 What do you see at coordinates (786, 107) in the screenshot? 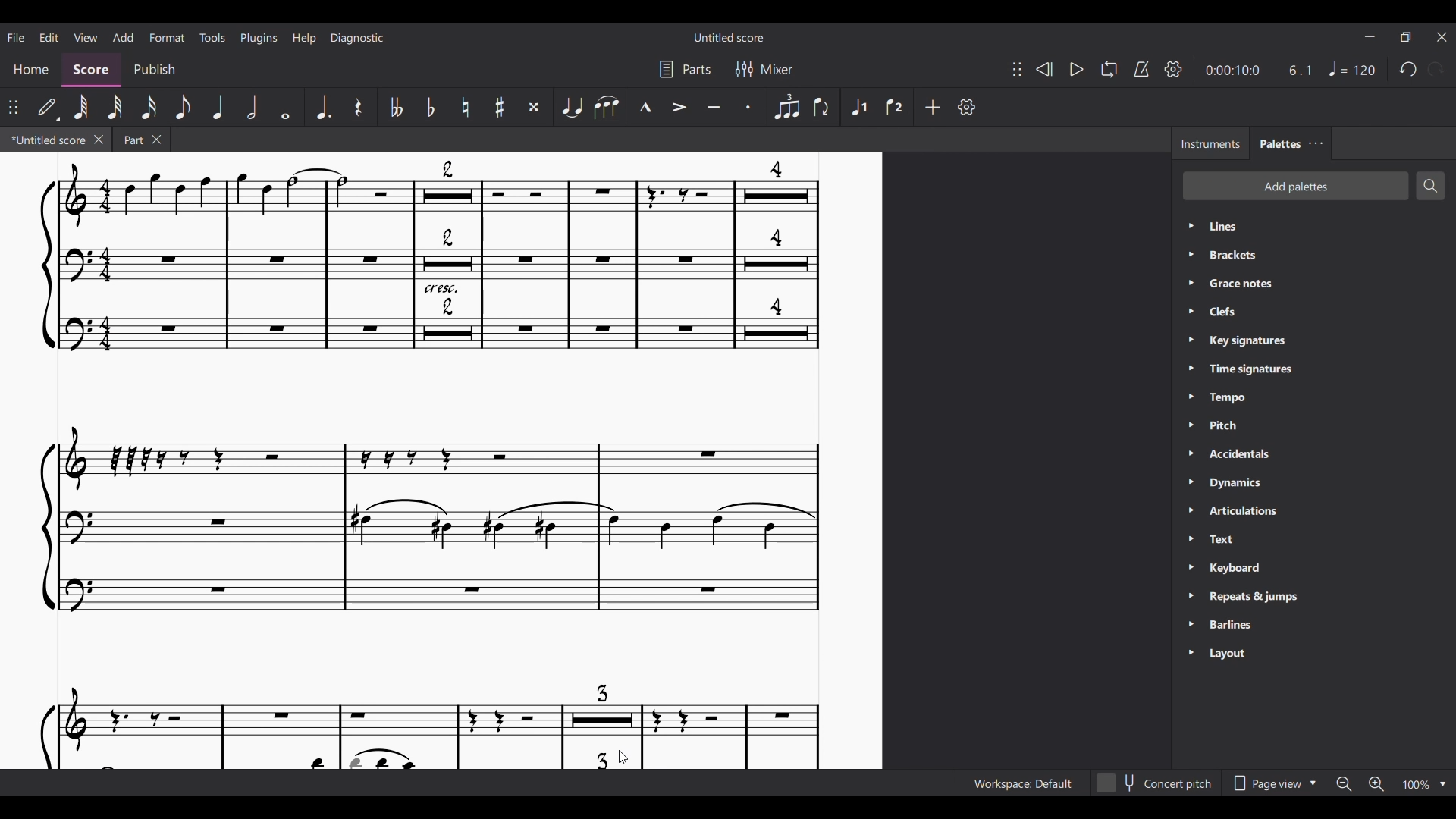
I see `Tuplet` at bounding box center [786, 107].